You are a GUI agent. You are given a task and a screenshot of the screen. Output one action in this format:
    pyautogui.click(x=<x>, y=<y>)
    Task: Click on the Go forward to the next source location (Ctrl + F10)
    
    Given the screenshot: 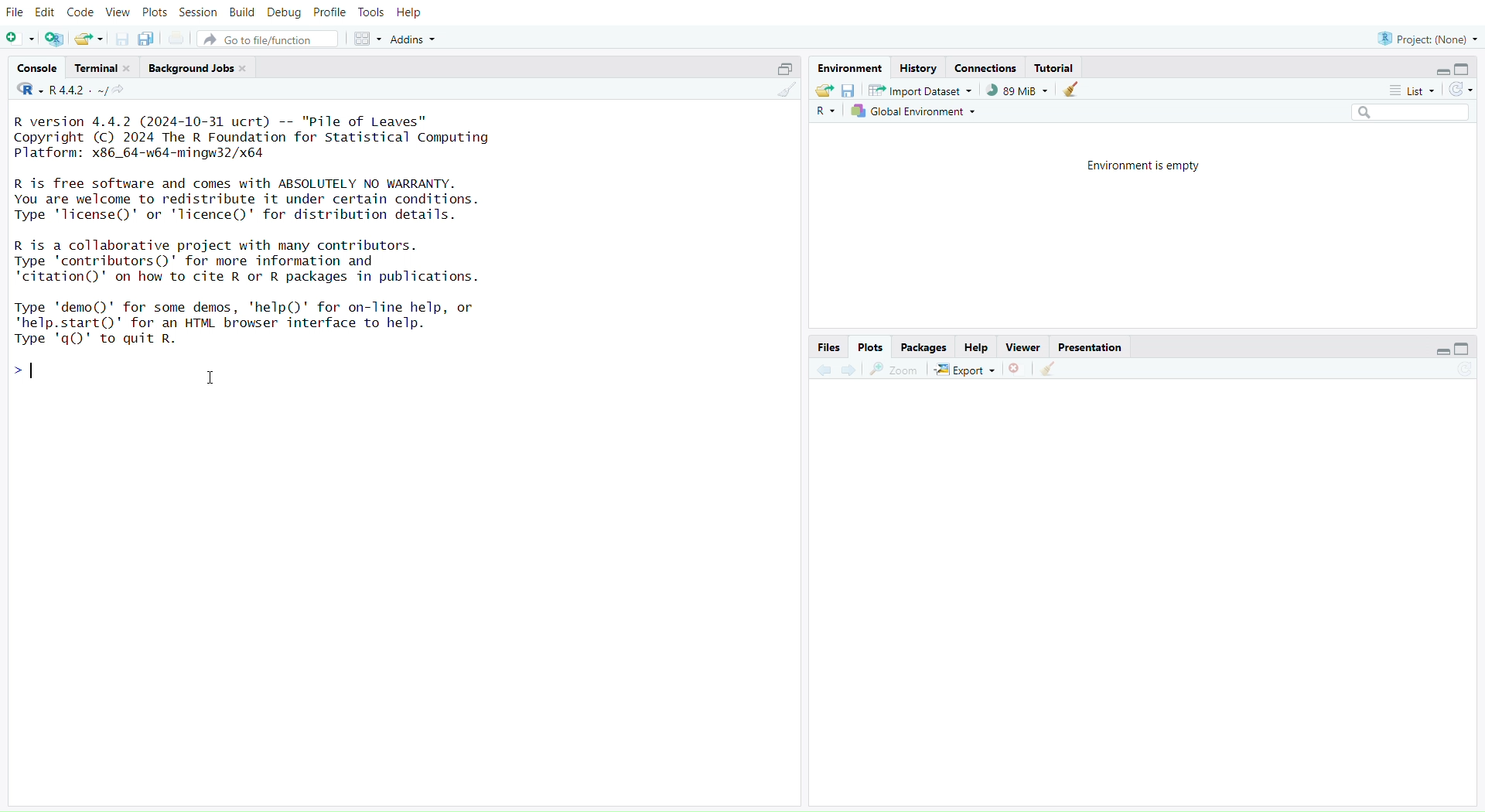 What is the action you would take?
    pyautogui.click(x=849, y=367)
    